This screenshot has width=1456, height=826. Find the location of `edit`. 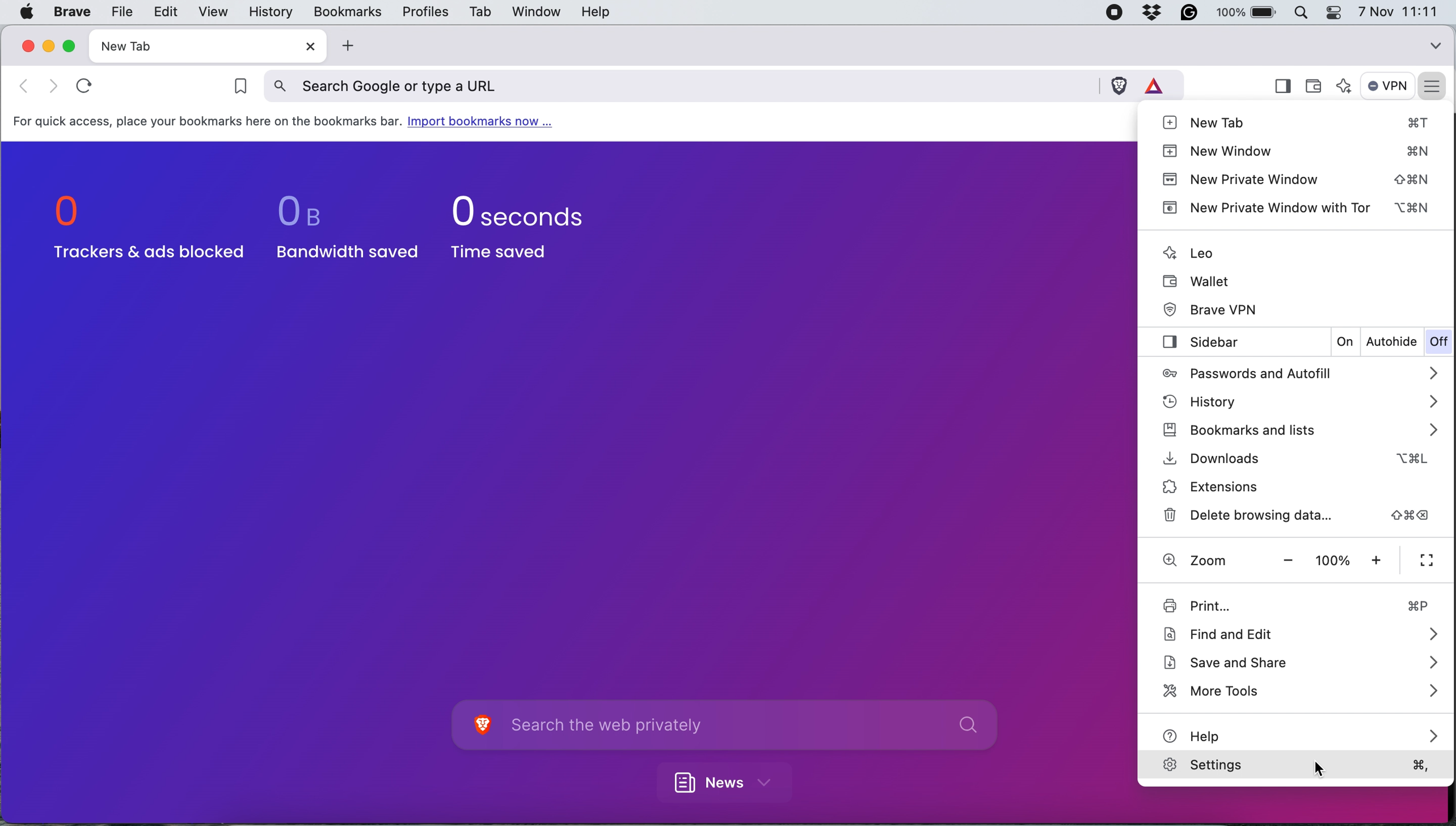

edit is located at coordinates (164, 11).